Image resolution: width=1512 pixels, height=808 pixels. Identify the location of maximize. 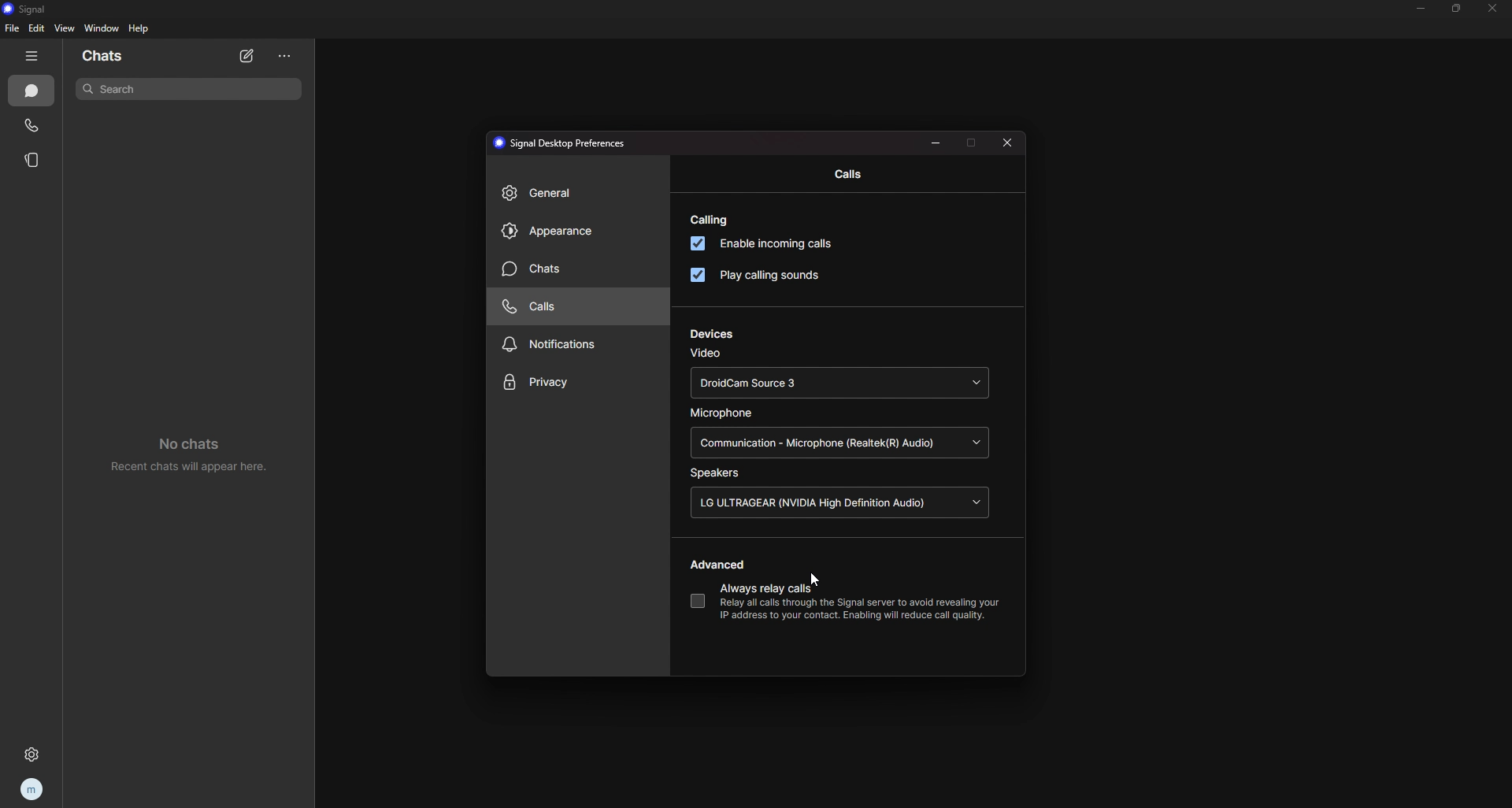
(973, 142).